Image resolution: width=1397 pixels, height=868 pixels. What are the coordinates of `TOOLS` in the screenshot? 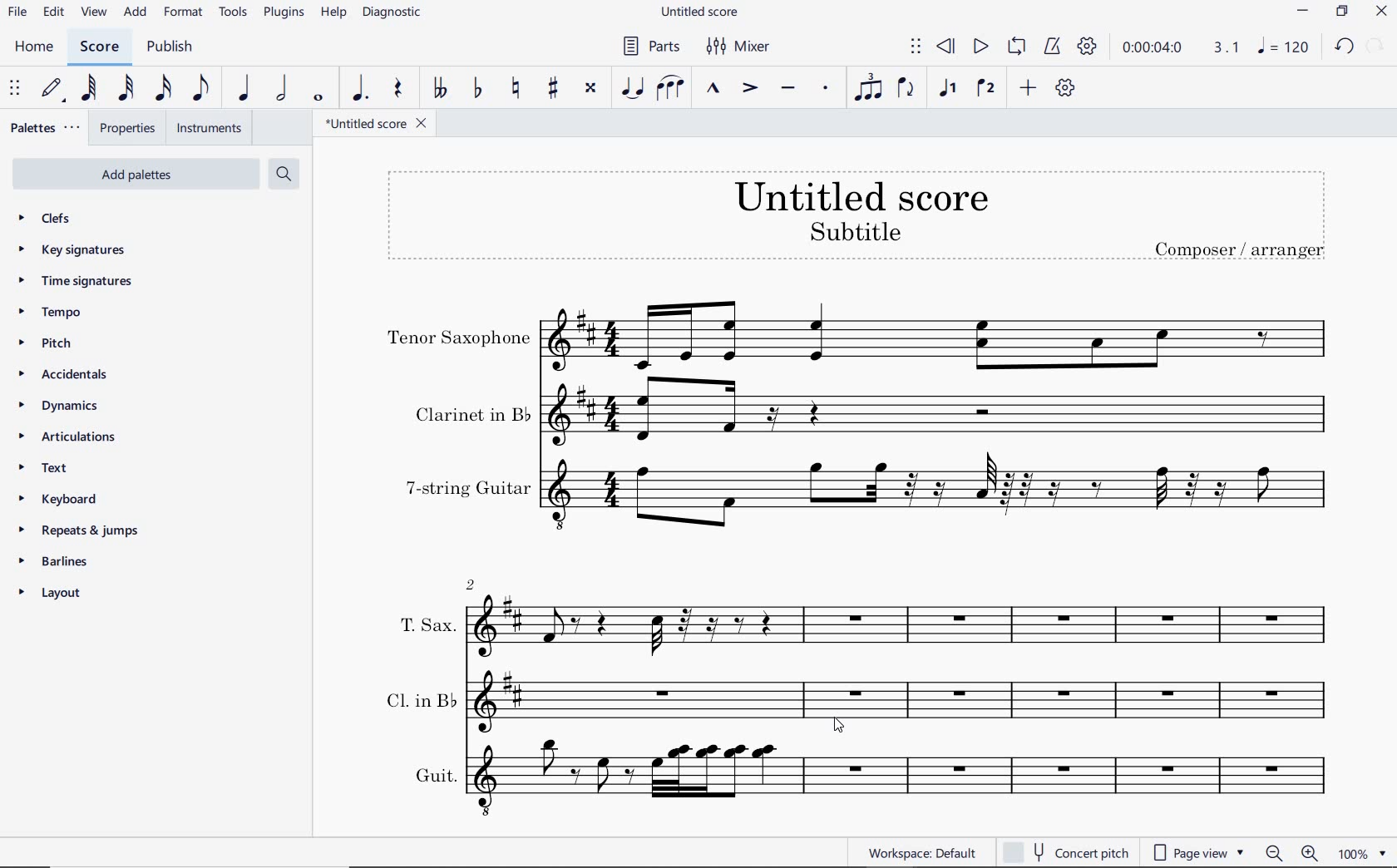 It's located at (234, 13).